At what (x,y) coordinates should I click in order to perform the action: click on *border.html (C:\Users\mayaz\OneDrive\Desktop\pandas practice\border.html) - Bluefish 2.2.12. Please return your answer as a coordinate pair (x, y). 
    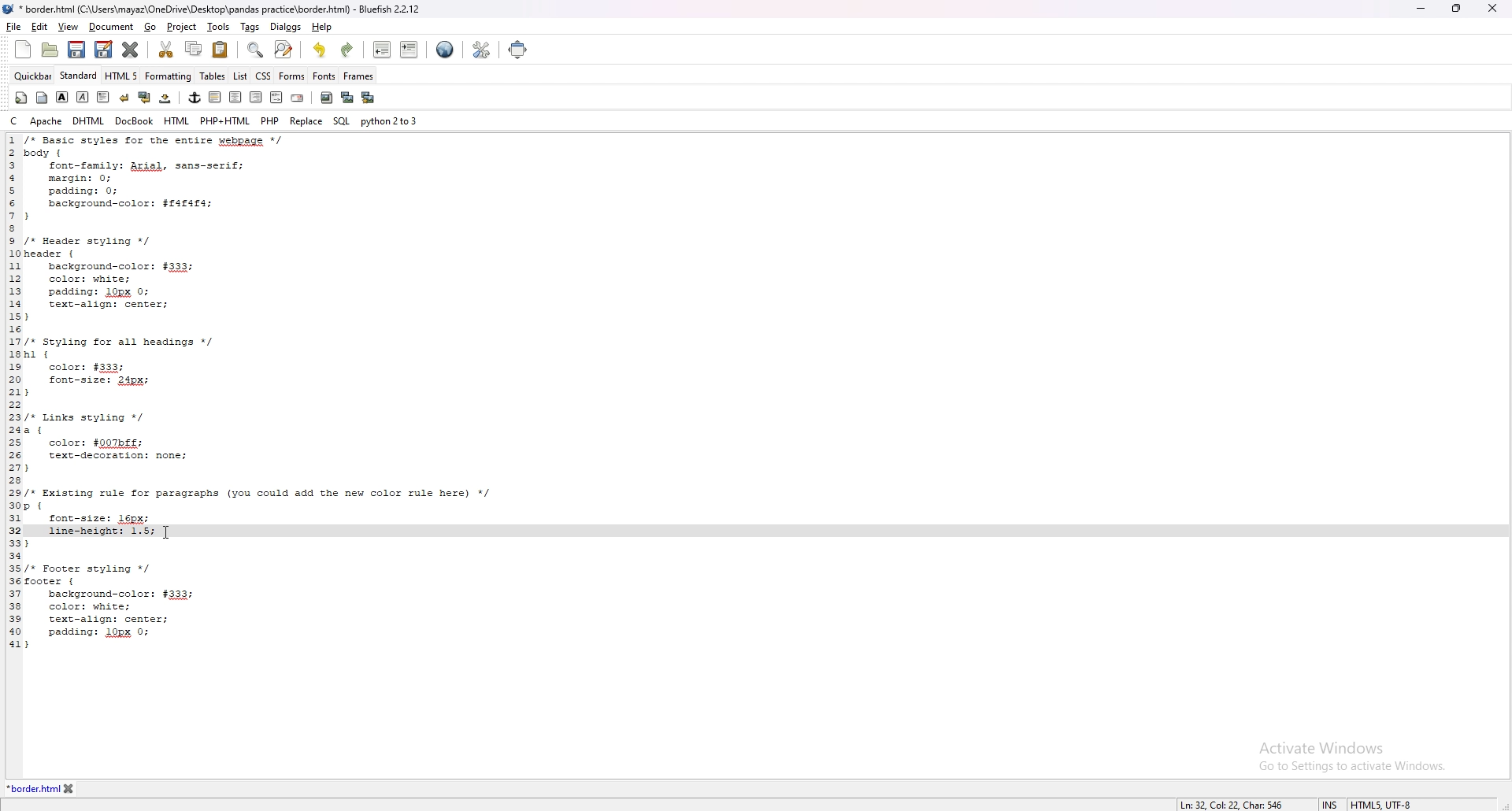
    Looking at the image, I should click on (226, 9).